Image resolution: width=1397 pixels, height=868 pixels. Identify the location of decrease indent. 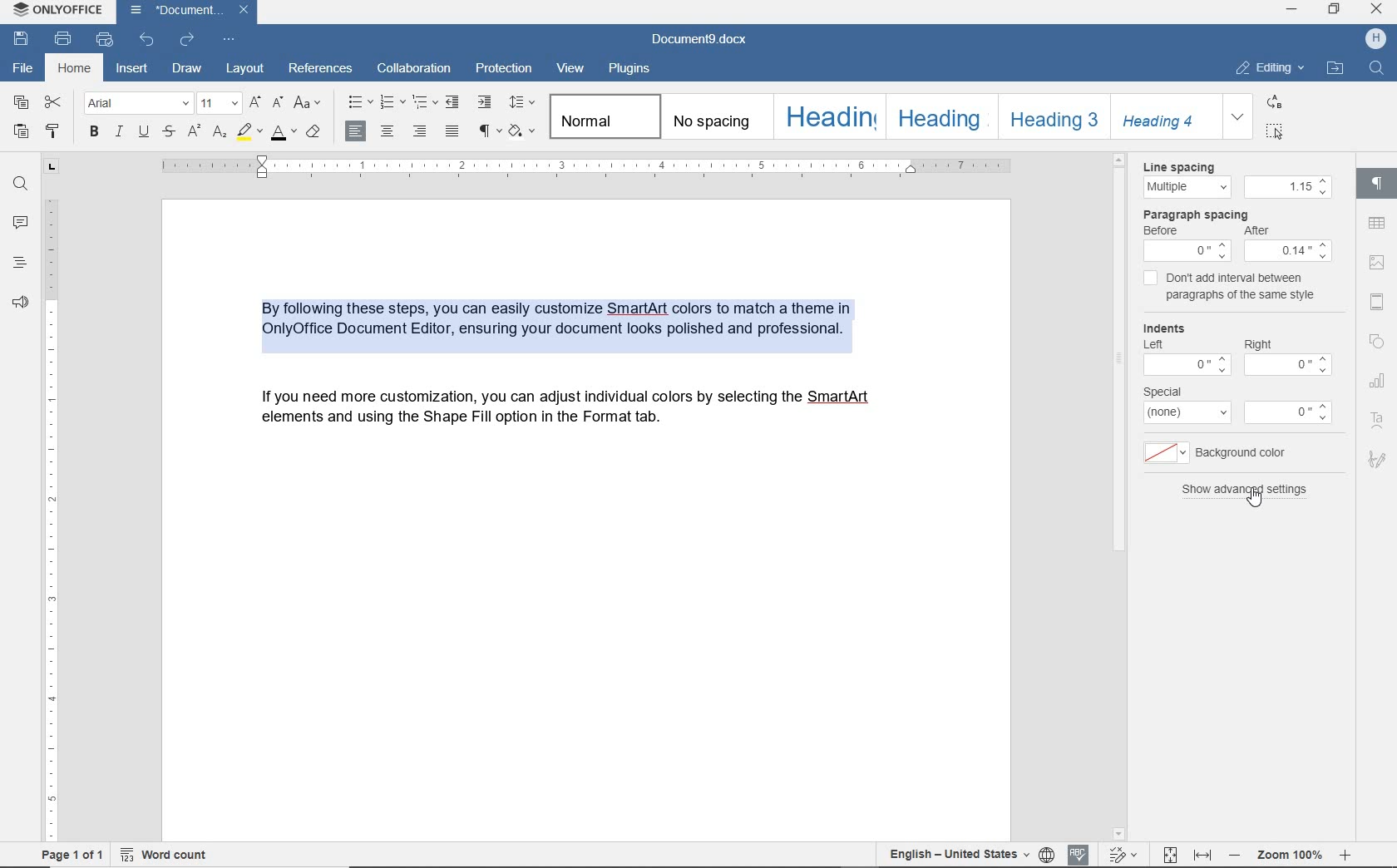
(453, 101).